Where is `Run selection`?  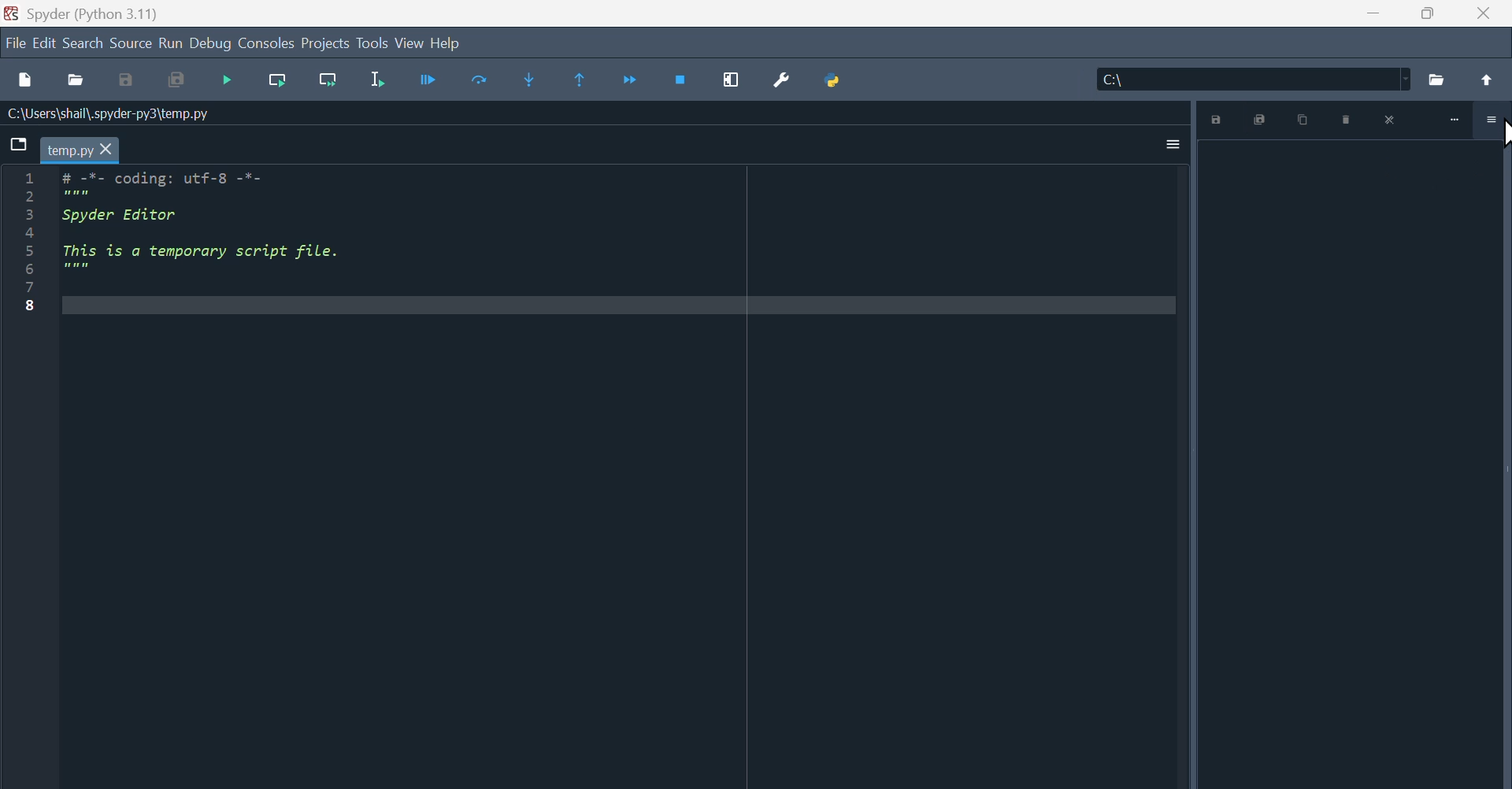
Run selection is located at coordinates (372, 79).